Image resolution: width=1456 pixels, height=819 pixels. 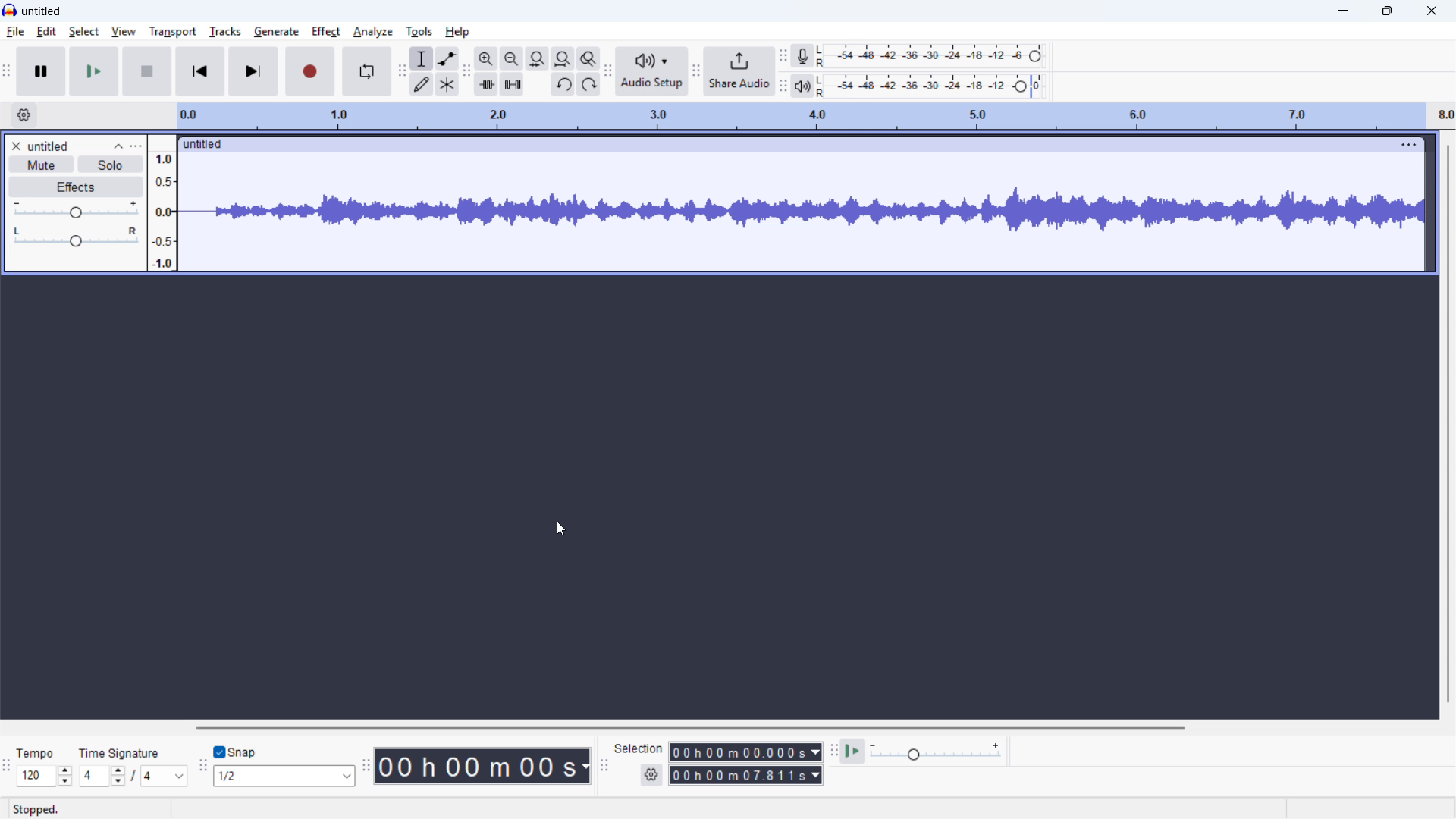 What do you see at coordinates (604, 768) in the screenshot?
I see `Selection toolbar ` at bounding box center [604, 768].